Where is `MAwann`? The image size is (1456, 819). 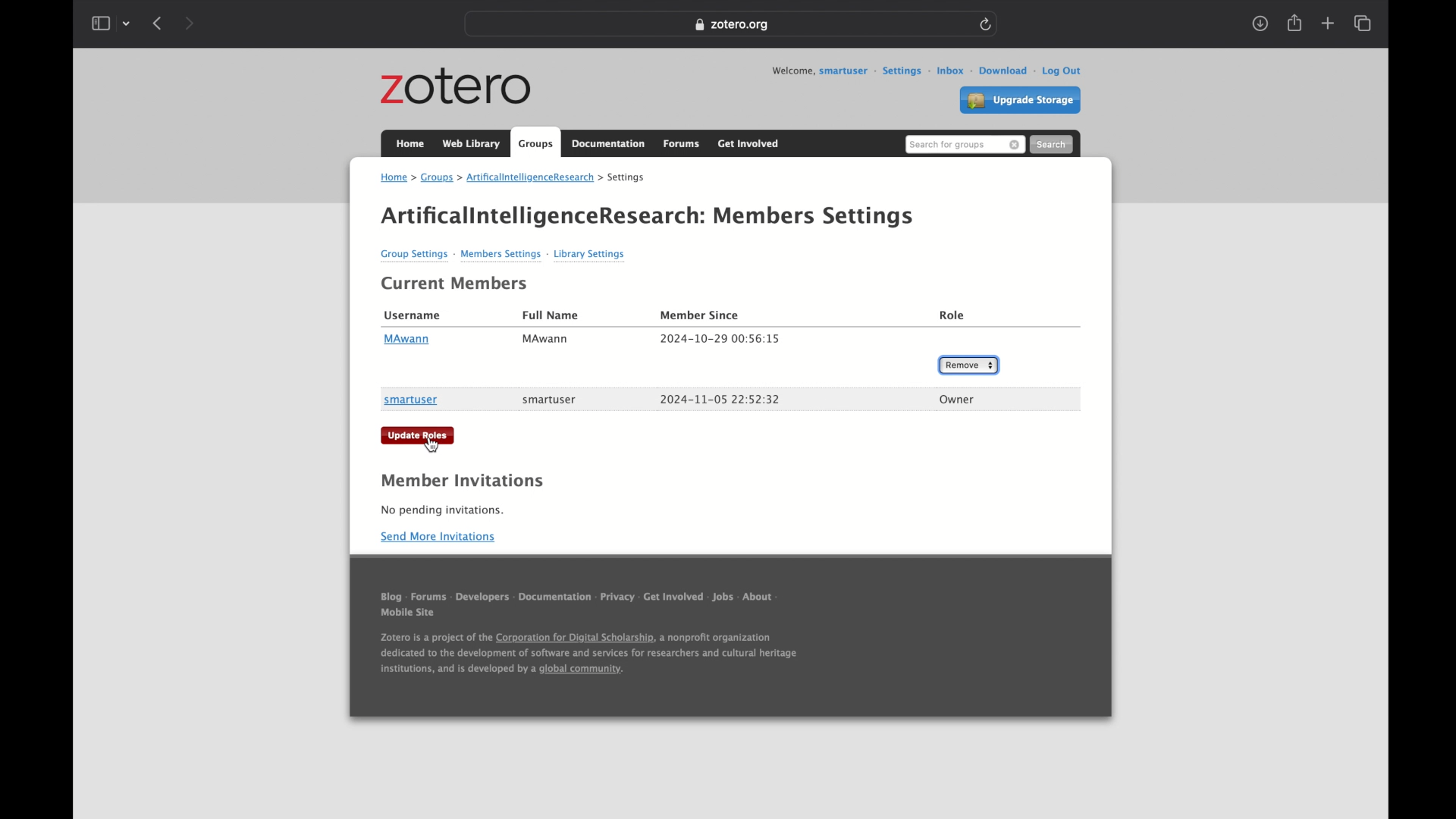
MAwann is located at coordinates (546, 340).